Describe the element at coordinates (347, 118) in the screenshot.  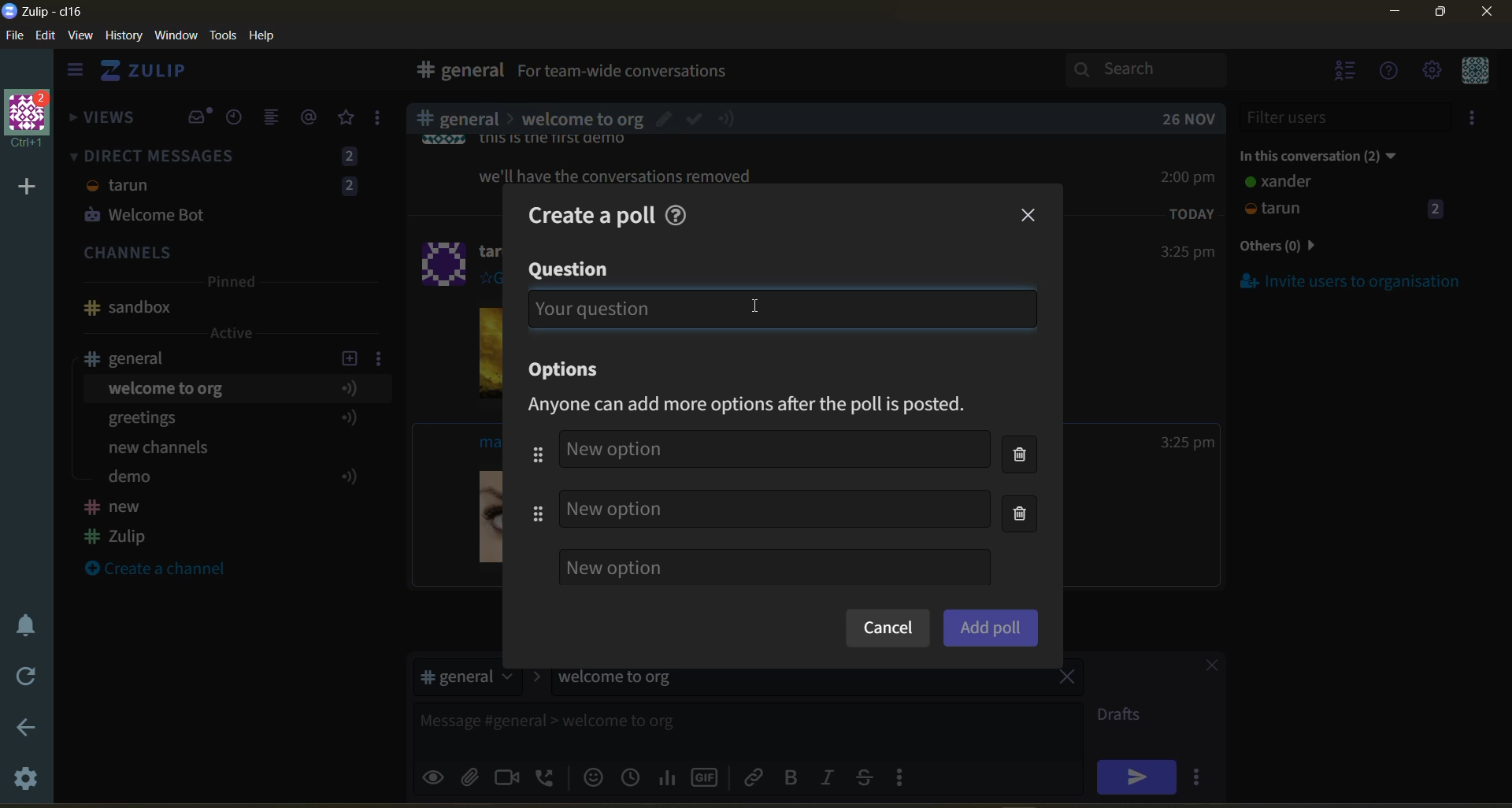
I see `favorites` at that location.